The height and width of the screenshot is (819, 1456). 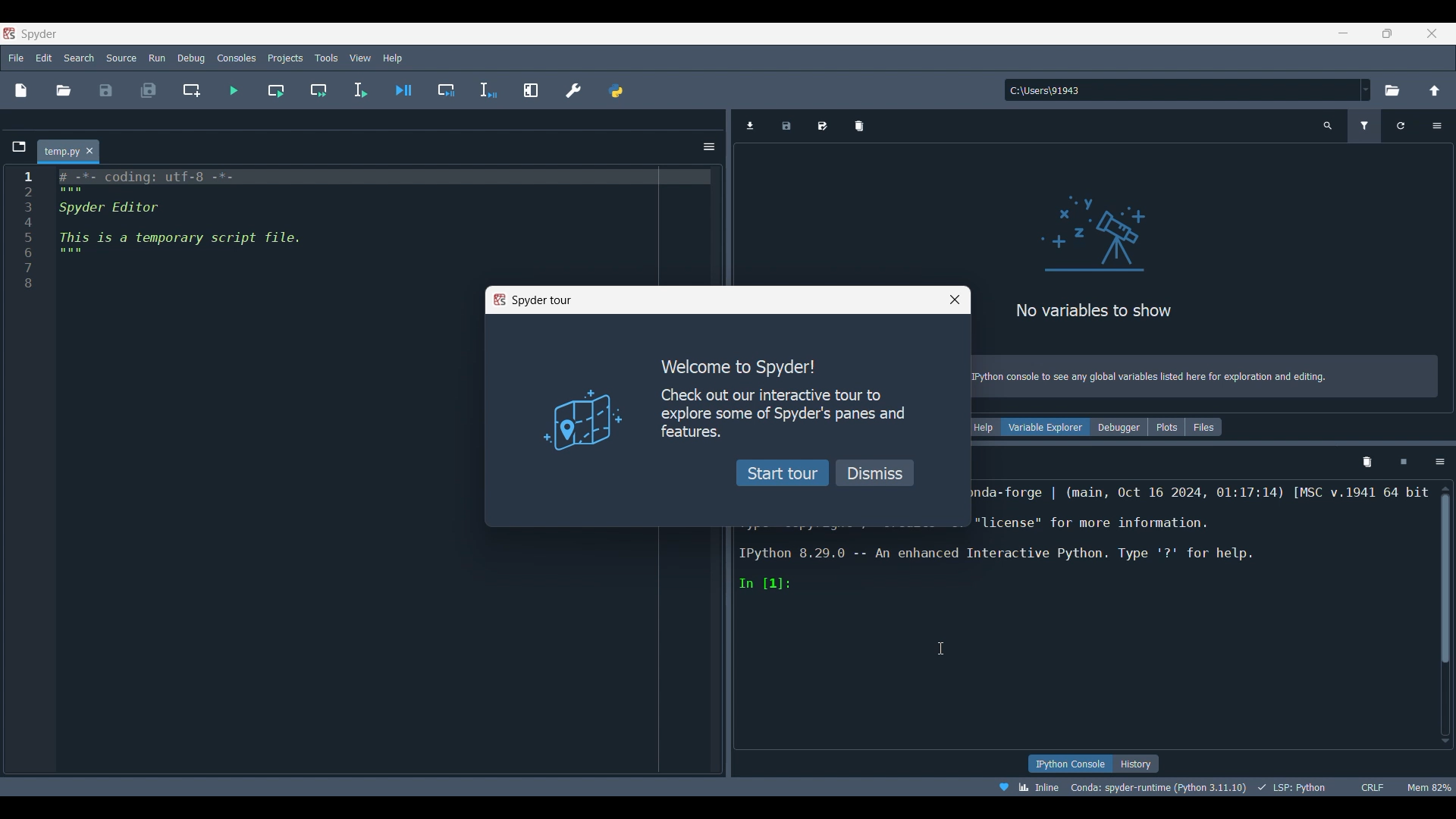 I want to click on Projects menu, so click(x=286, y=58).